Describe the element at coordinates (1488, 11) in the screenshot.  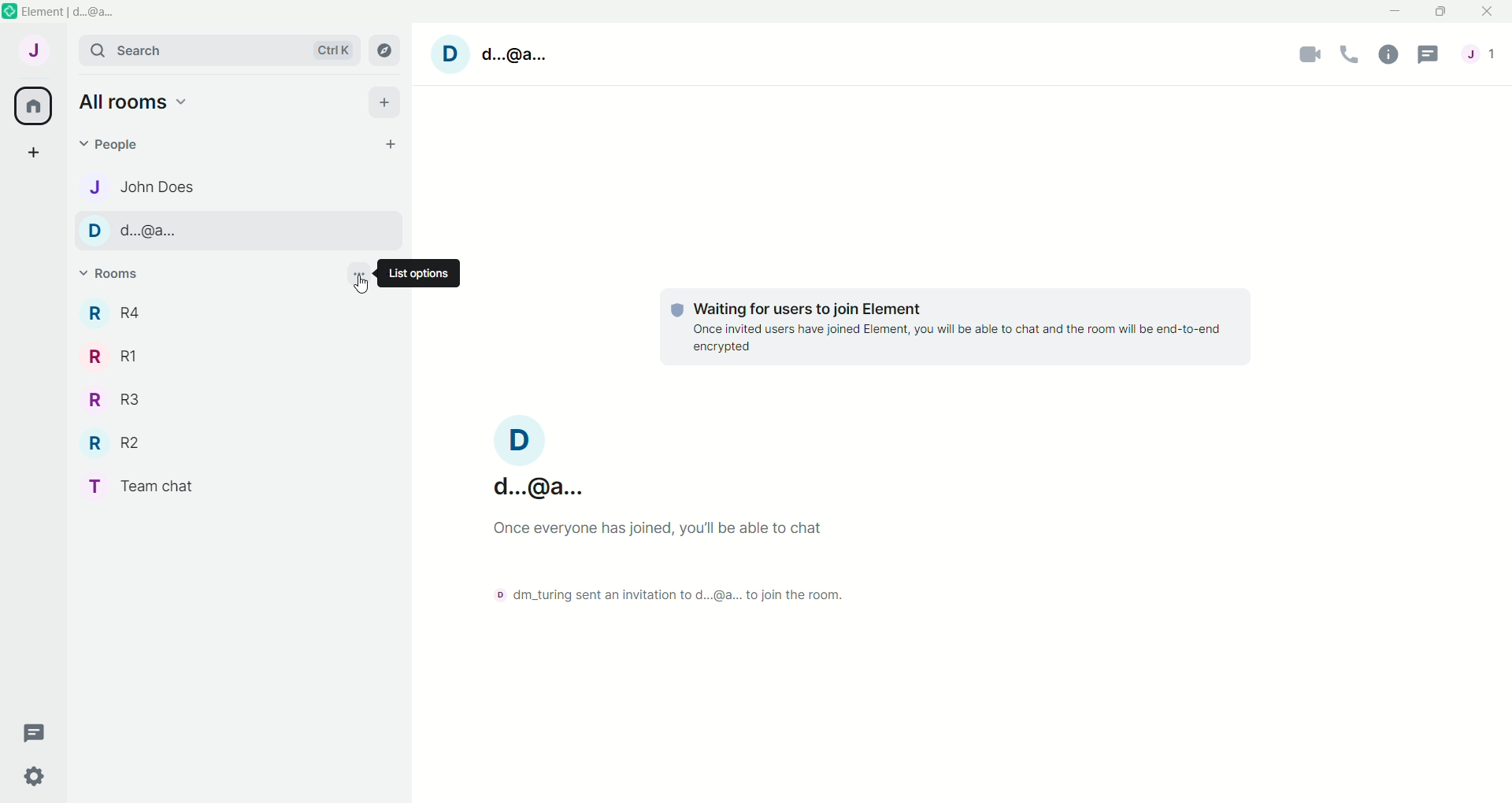
I see `Close` at that location.